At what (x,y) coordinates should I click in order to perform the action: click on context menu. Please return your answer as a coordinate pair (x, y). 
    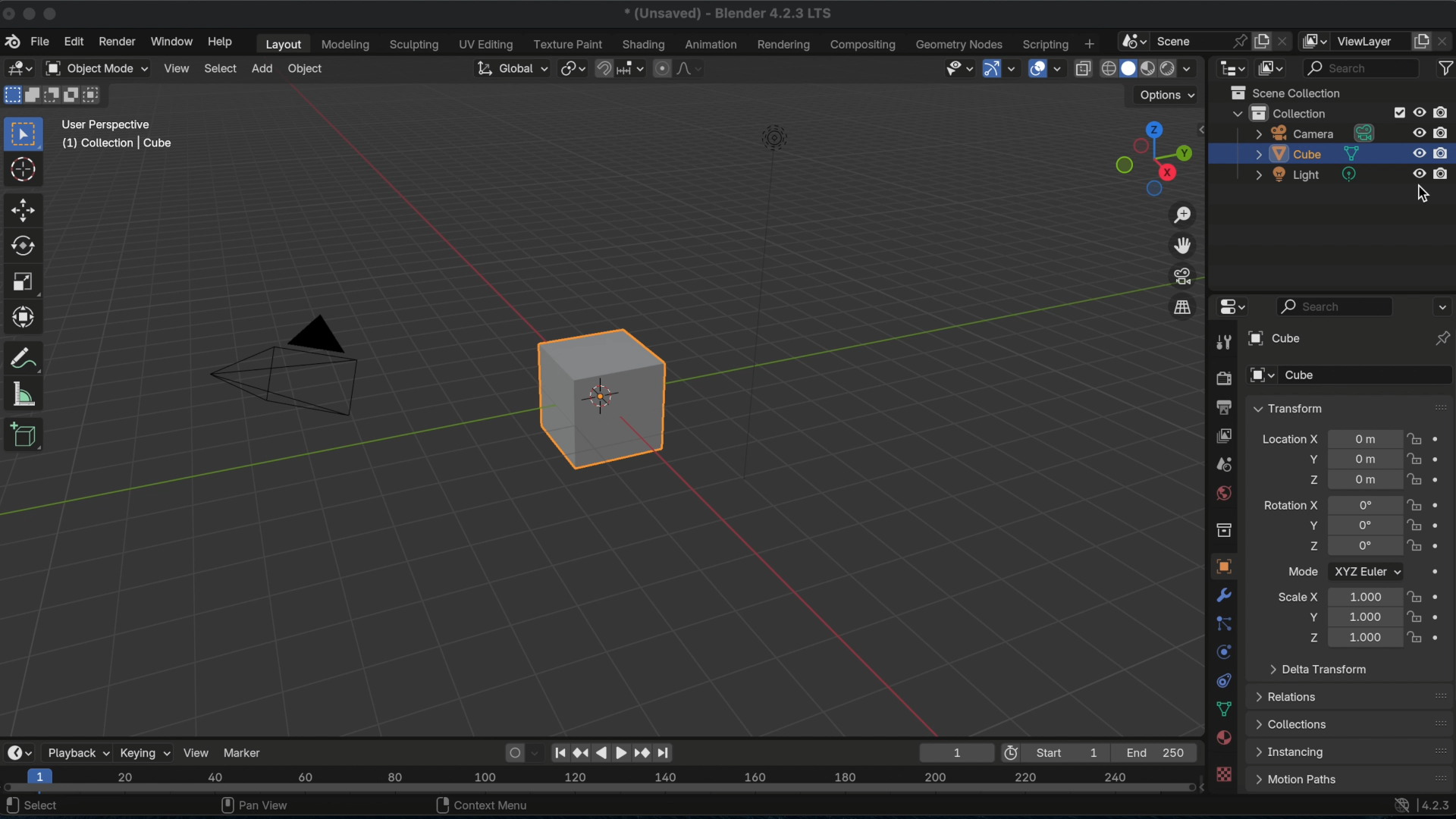
    Looking at the image, I should click on (480, 807).